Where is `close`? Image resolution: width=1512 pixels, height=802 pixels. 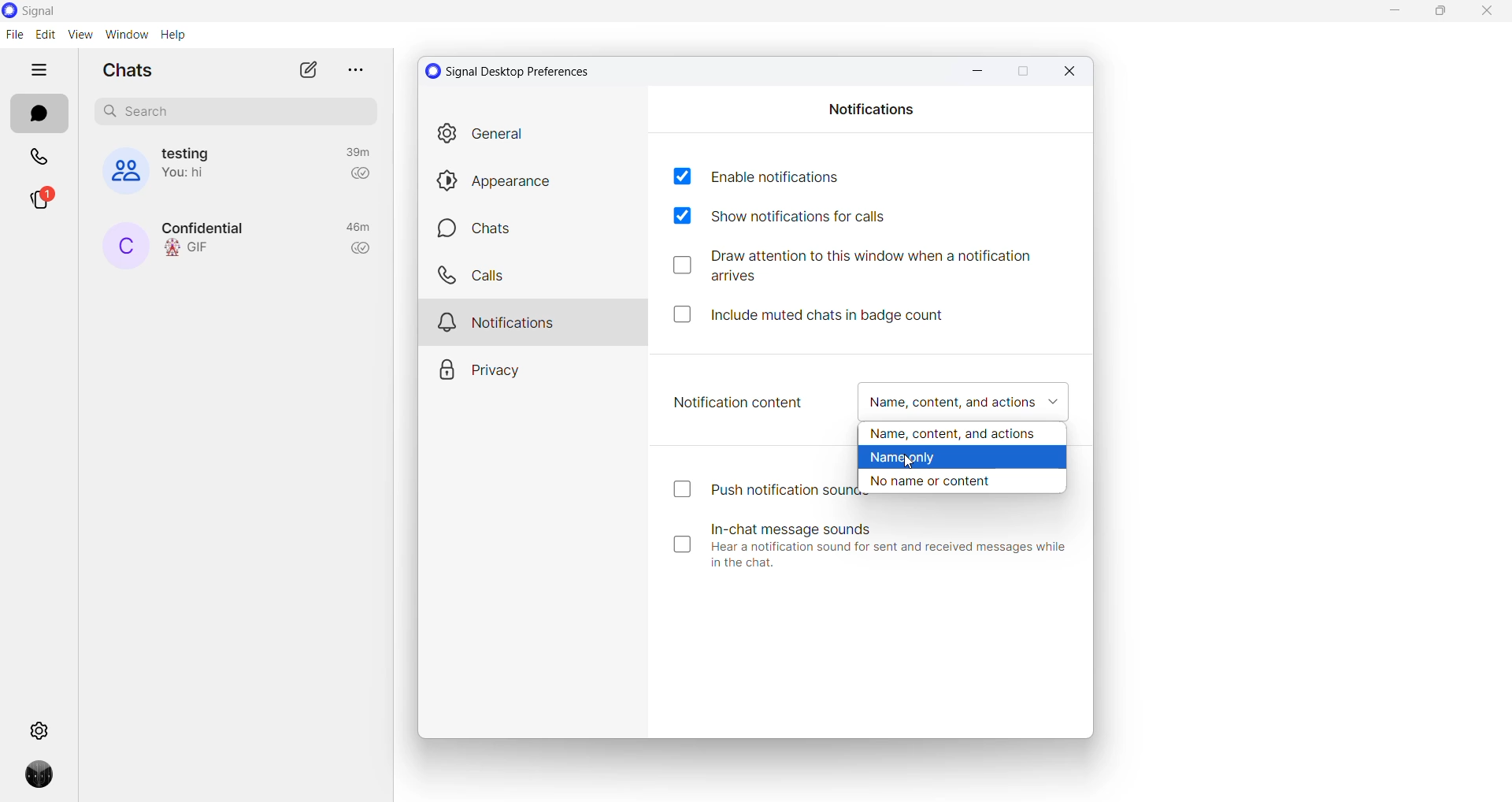 close is located at coordinates (1486, 16).